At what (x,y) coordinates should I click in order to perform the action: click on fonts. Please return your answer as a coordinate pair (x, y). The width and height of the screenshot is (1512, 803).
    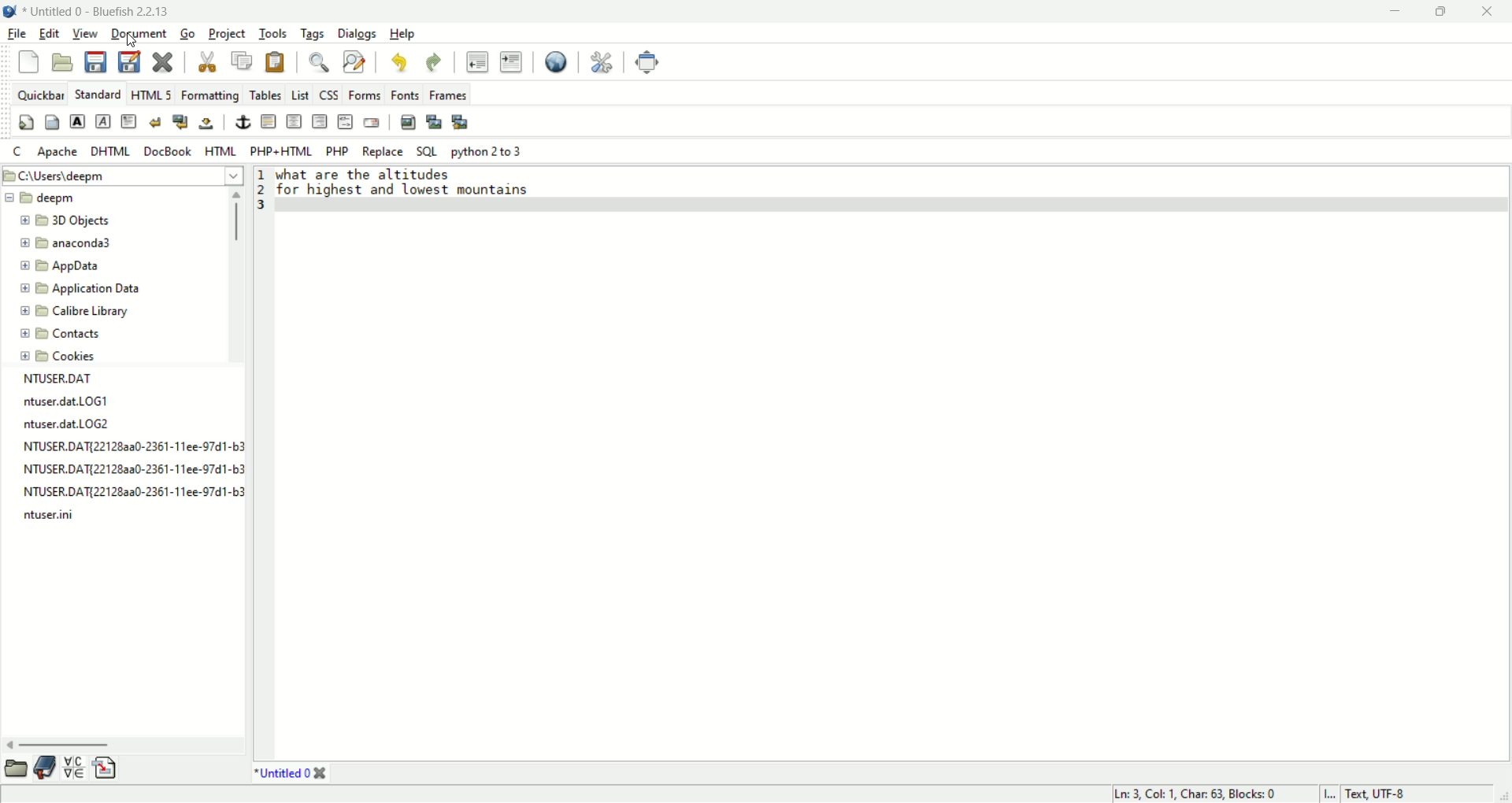
    Looking at the image, I should click on (409, 94).